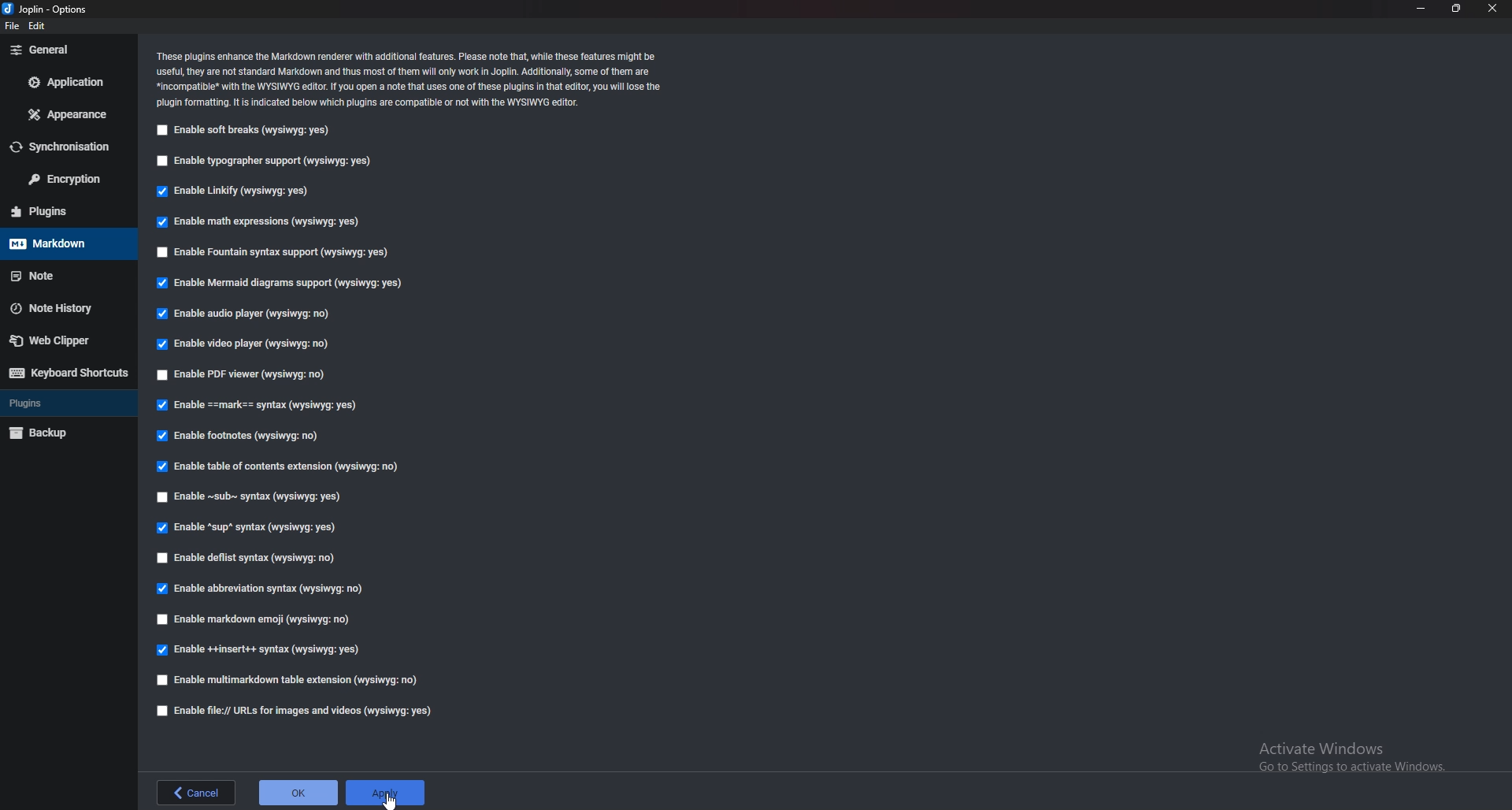 Image resolution: width=1512 pixels, height=810 pixels. What do you see at coordinates (241, 437) in the screenshot?
I see `Enable footnotes` at bounding box center [241, 437].